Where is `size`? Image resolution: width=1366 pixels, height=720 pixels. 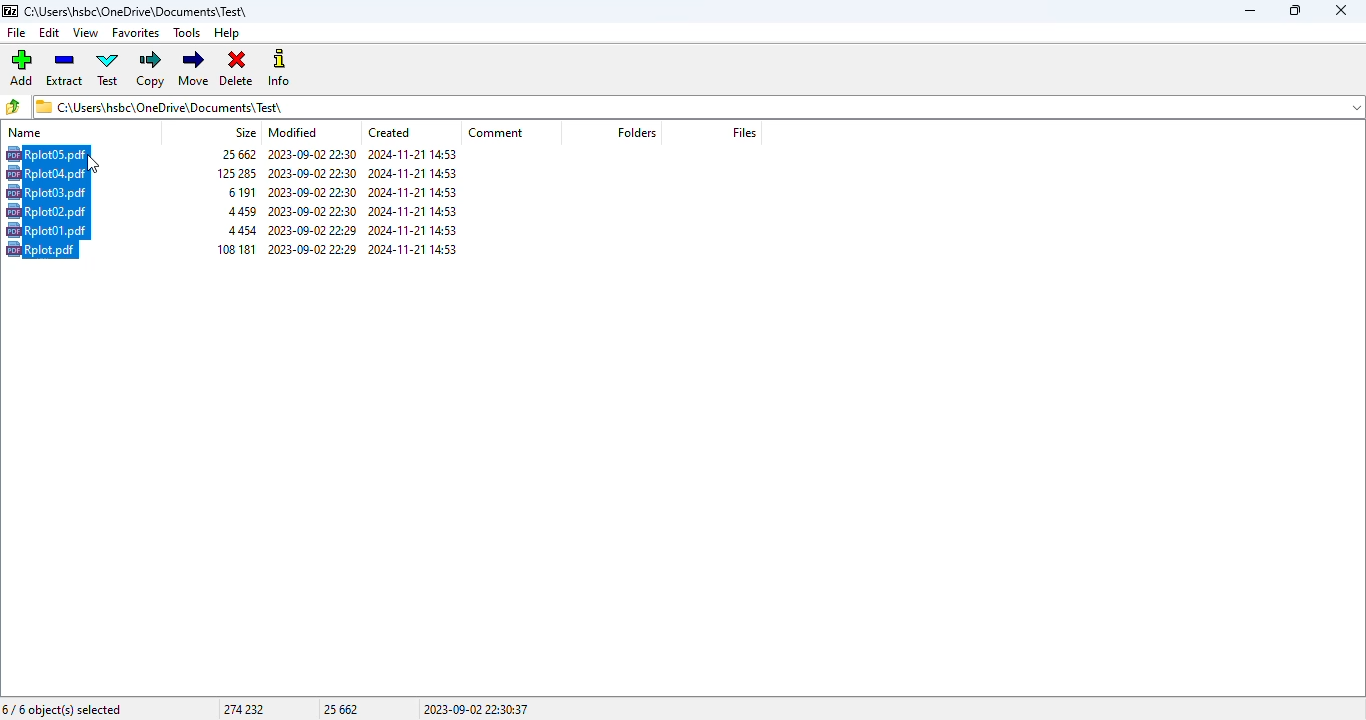
size is located at coordinates (246, 132).